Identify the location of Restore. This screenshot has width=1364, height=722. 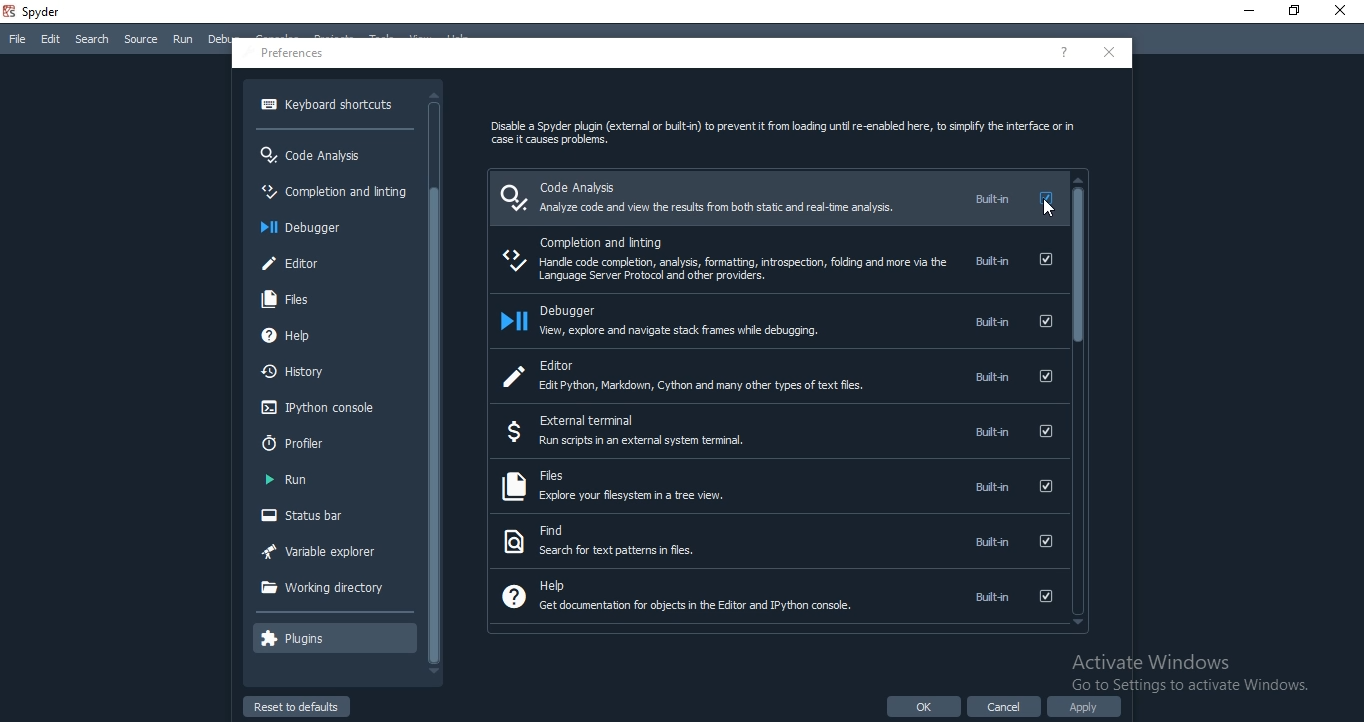
(1293, 12).